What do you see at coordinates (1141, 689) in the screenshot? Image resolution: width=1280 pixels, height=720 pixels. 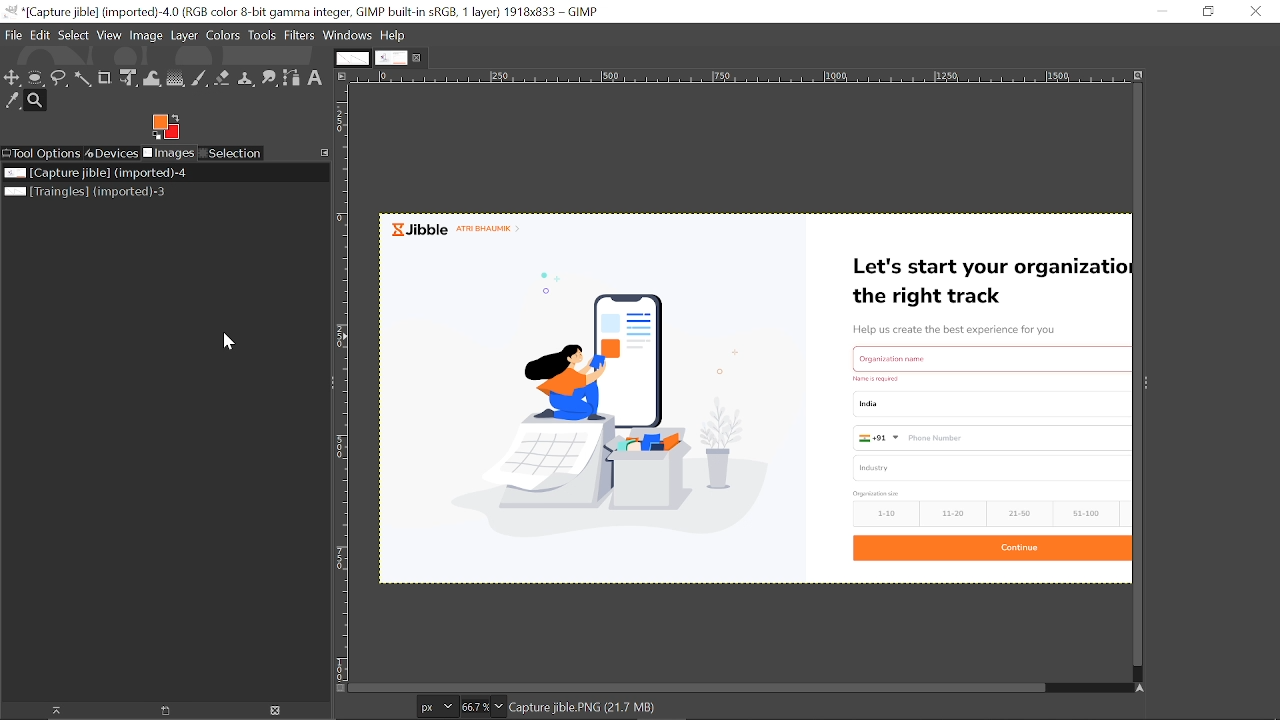 I see `Navigate the image display` at bounding box center [1141, 689].